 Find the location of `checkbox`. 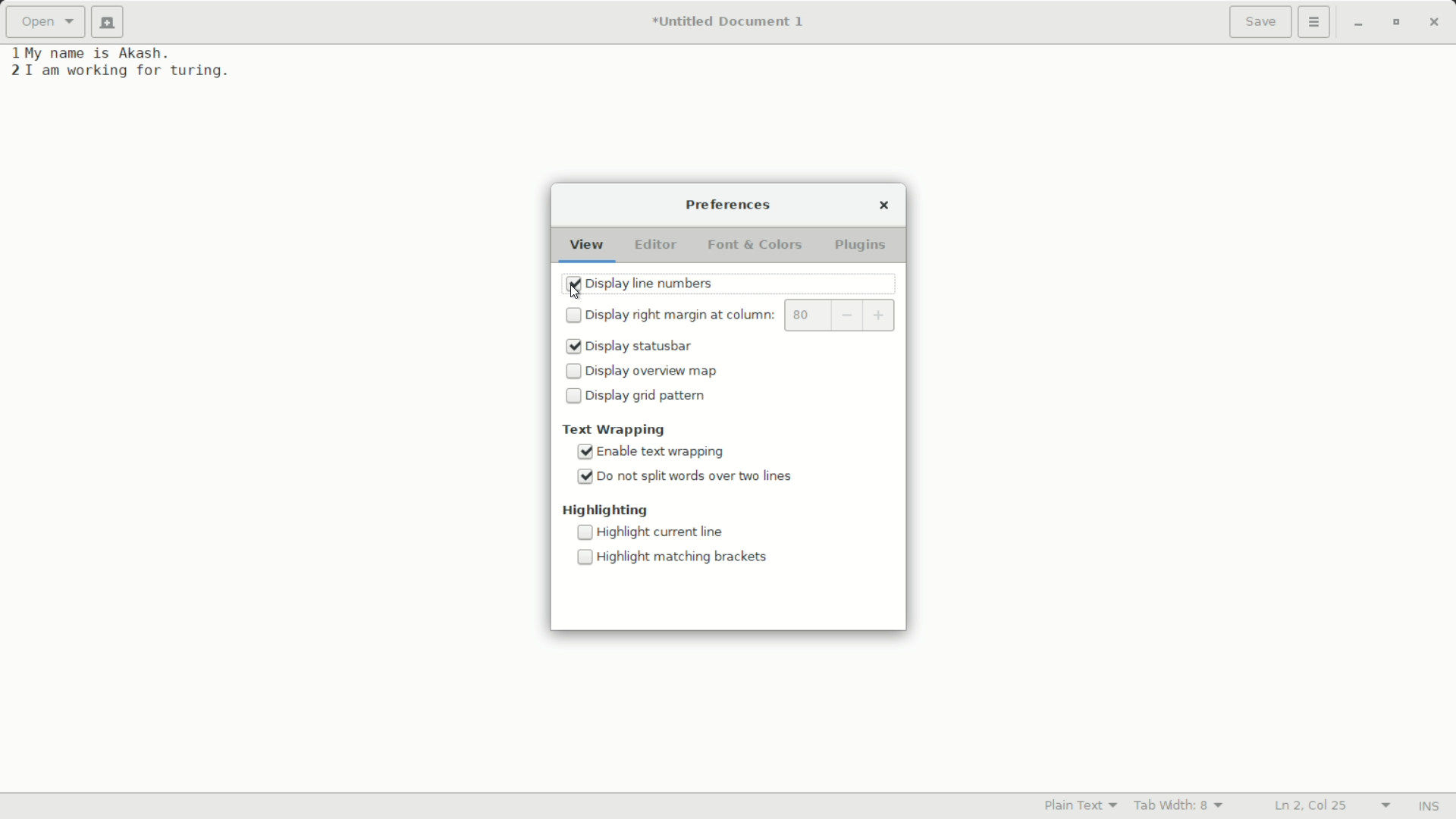

checkbox is located at coordinates (573, 370).